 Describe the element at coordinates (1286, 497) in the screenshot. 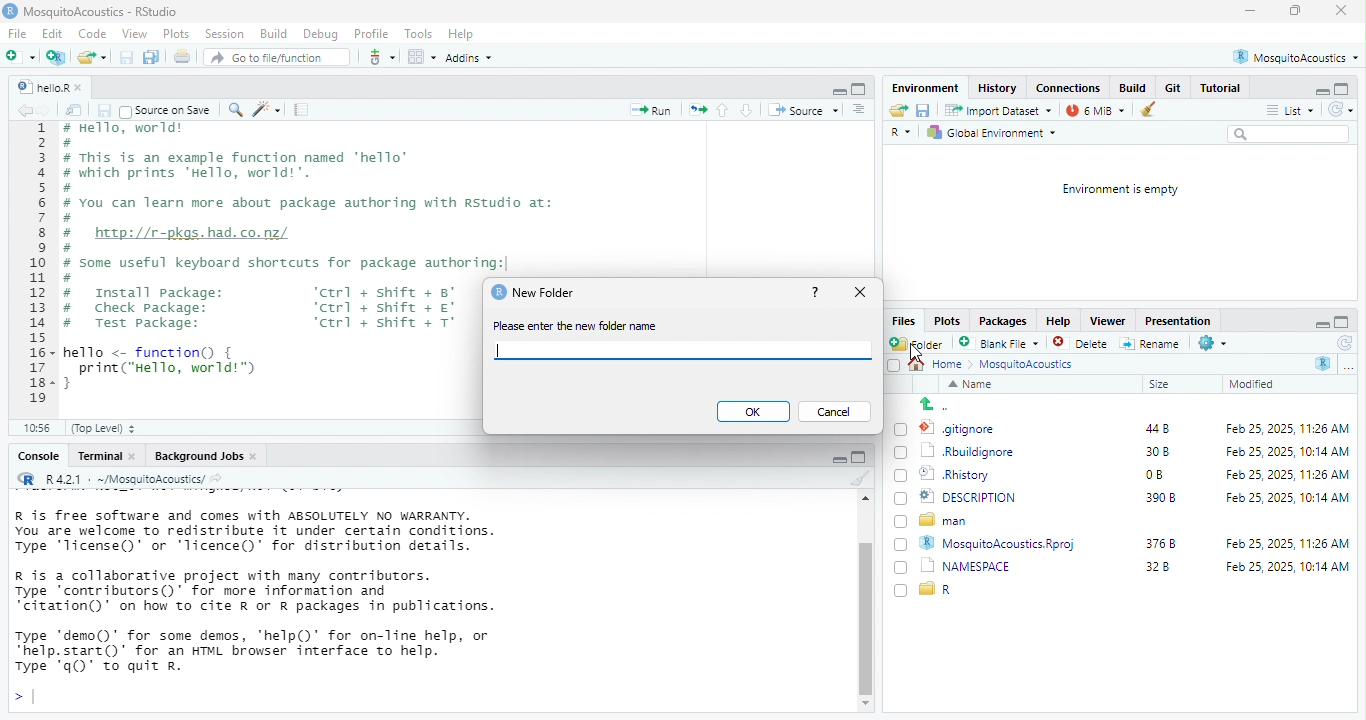

I see `Feb 25, 2025, 10:14 AM` at that location.